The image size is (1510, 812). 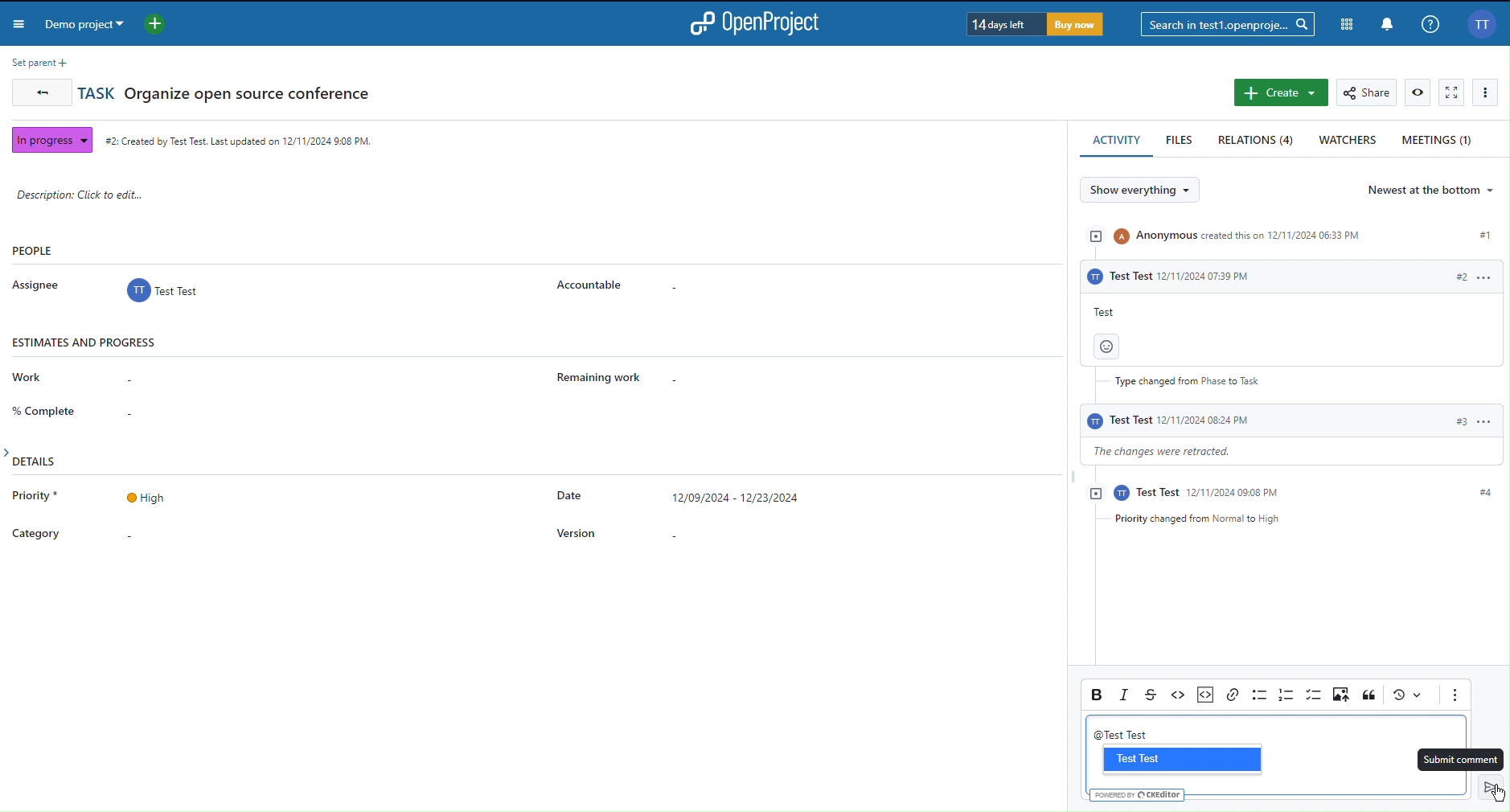 What do you see at coordinates (1439, 139) in the screenshot?
I see `Meetings` at bounding box center [1439, 139].